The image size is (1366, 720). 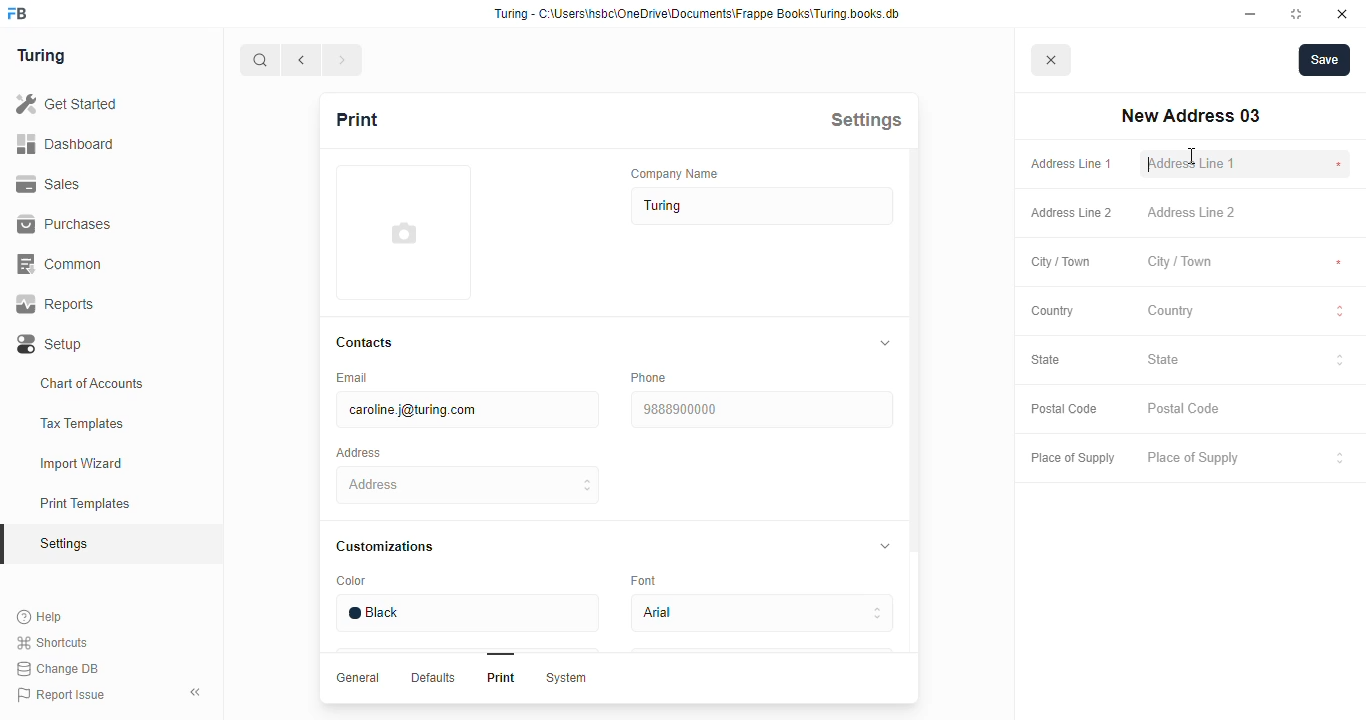 What do you see at coordinates (40, 55) in the screenshot?
I see `turing` at bounding box center [40, 55].